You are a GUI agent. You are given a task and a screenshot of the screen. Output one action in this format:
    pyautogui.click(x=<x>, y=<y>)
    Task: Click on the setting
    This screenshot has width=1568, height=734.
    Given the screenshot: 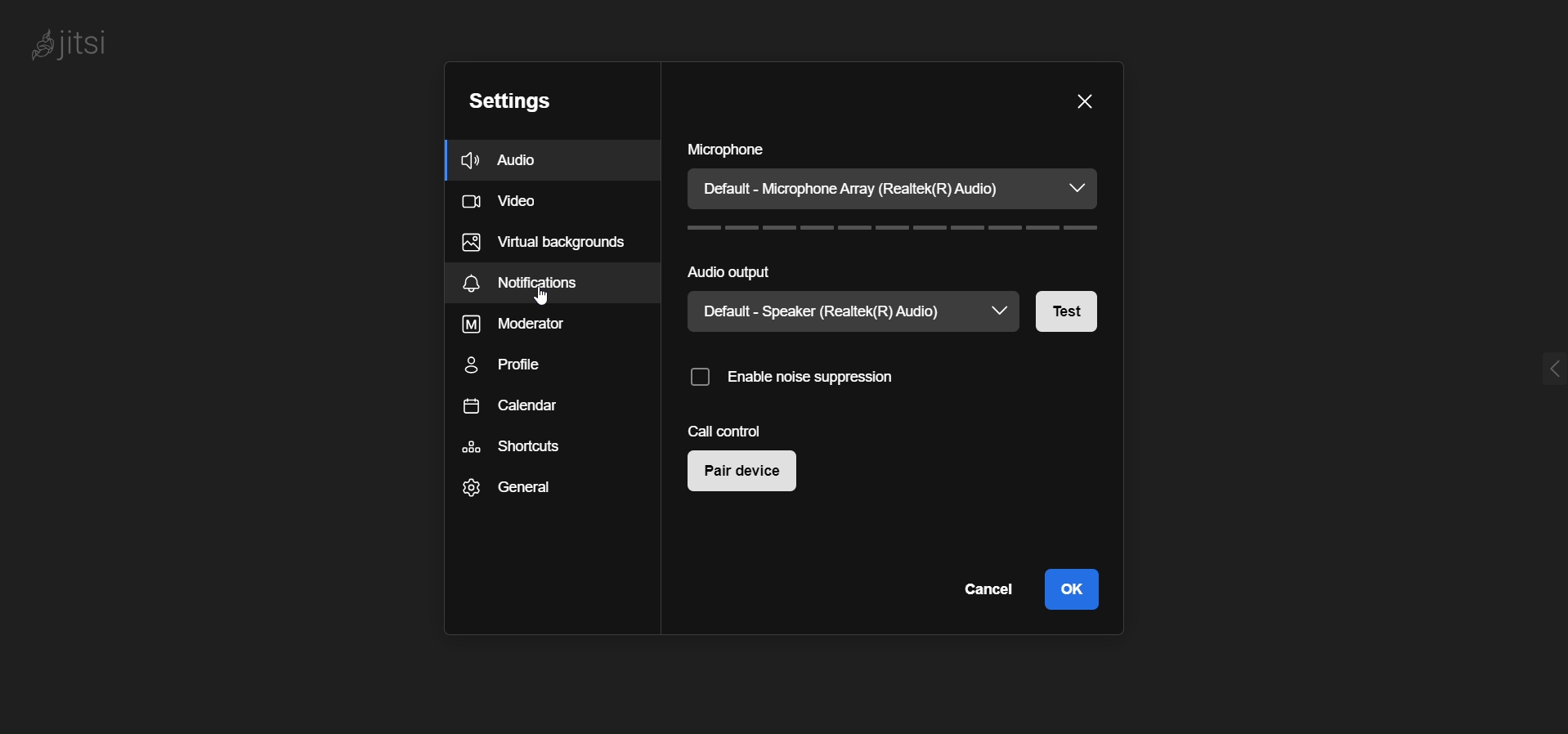 What is the action you would take?
    pyautogui.click(x=514, y=102)
    